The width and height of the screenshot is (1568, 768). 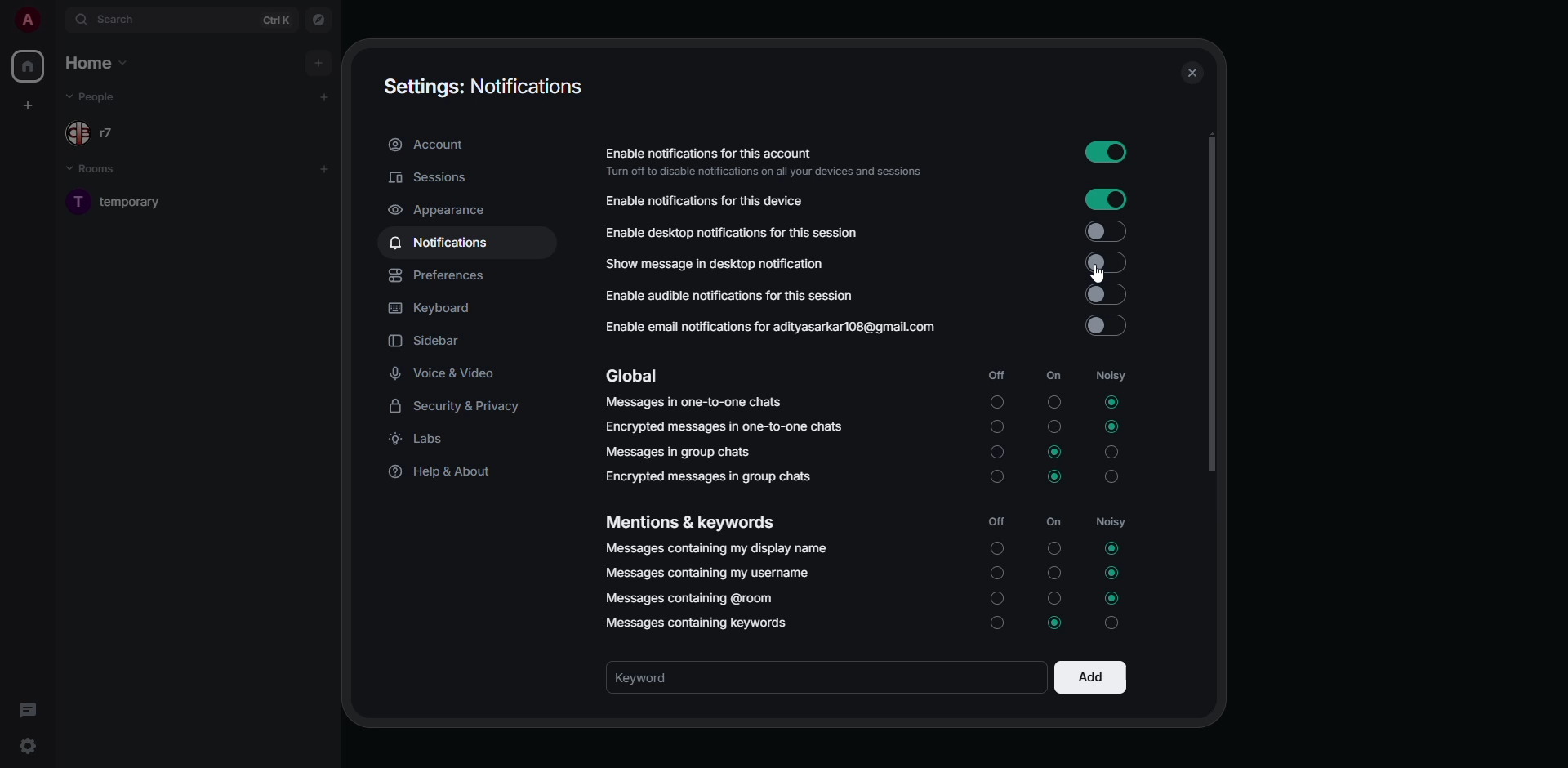 I want to click on rooms, so click(x=101, y=170).